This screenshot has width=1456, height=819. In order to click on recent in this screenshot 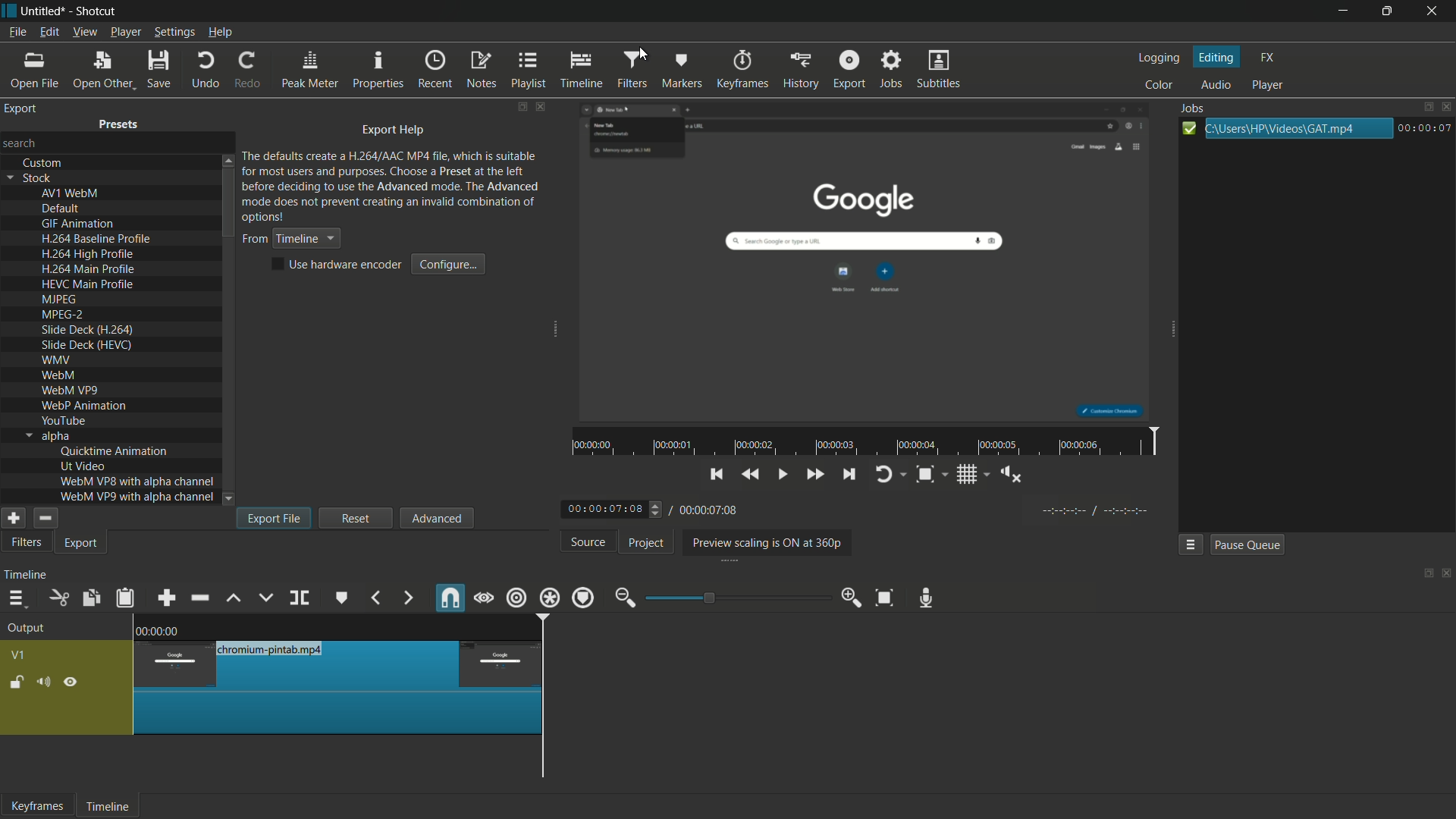, I will do `click(435, 69)`.